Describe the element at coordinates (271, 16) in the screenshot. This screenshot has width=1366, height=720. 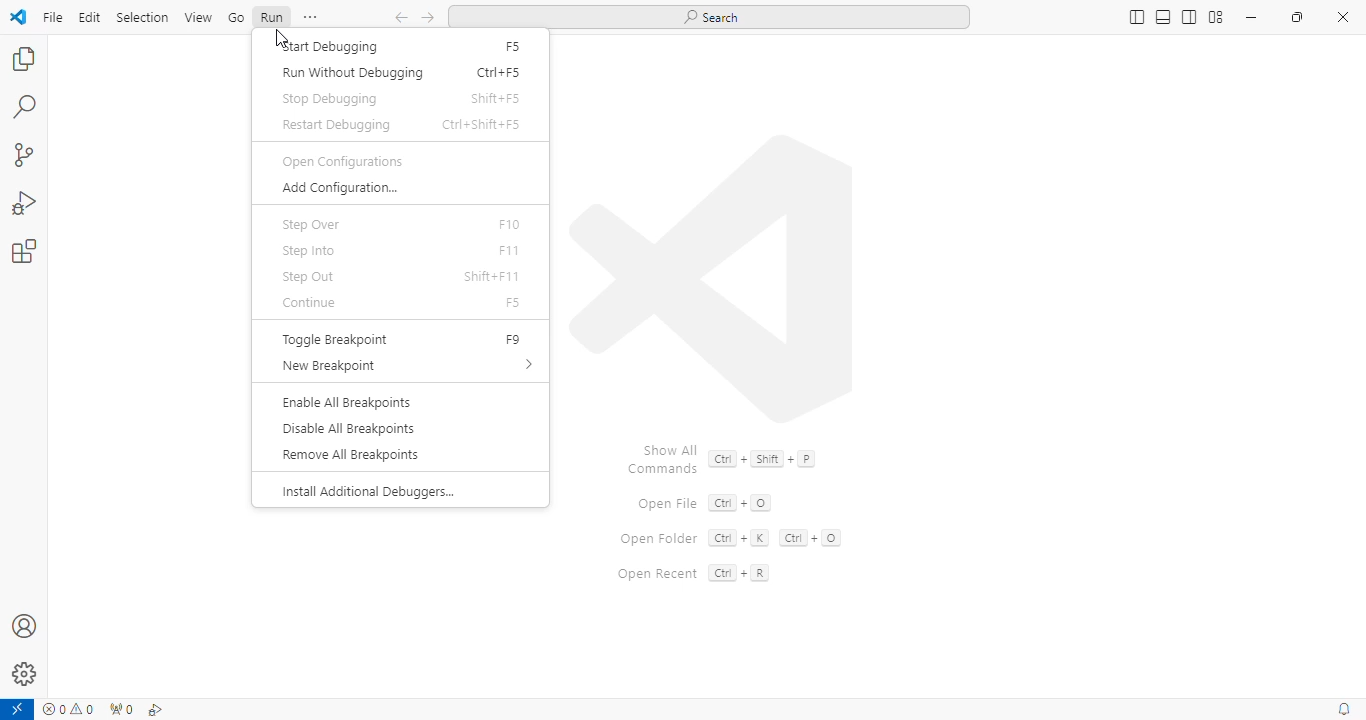
I see `run` at that location.